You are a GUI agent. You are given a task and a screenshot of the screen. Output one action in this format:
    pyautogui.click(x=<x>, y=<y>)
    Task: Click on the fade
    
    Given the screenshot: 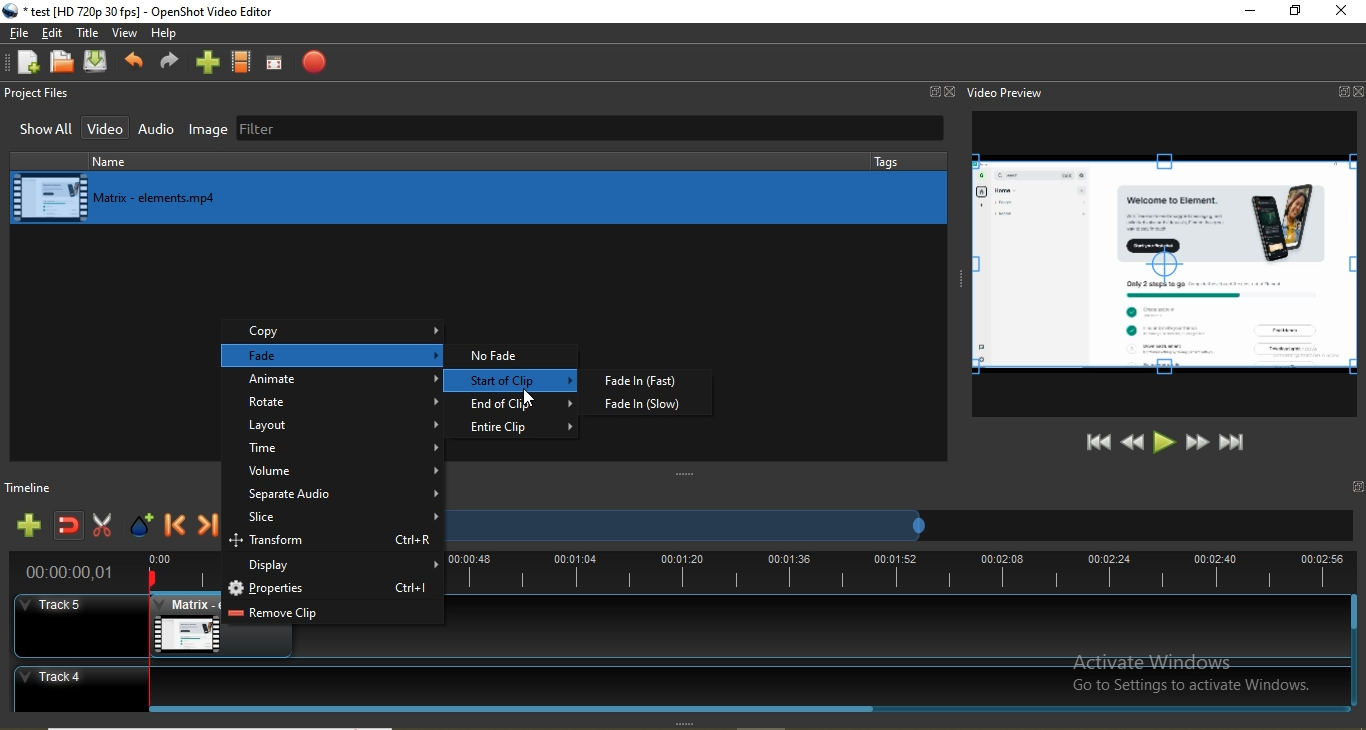 What is the action you would take?
    pyautogui.click(x=335, y=356)
    